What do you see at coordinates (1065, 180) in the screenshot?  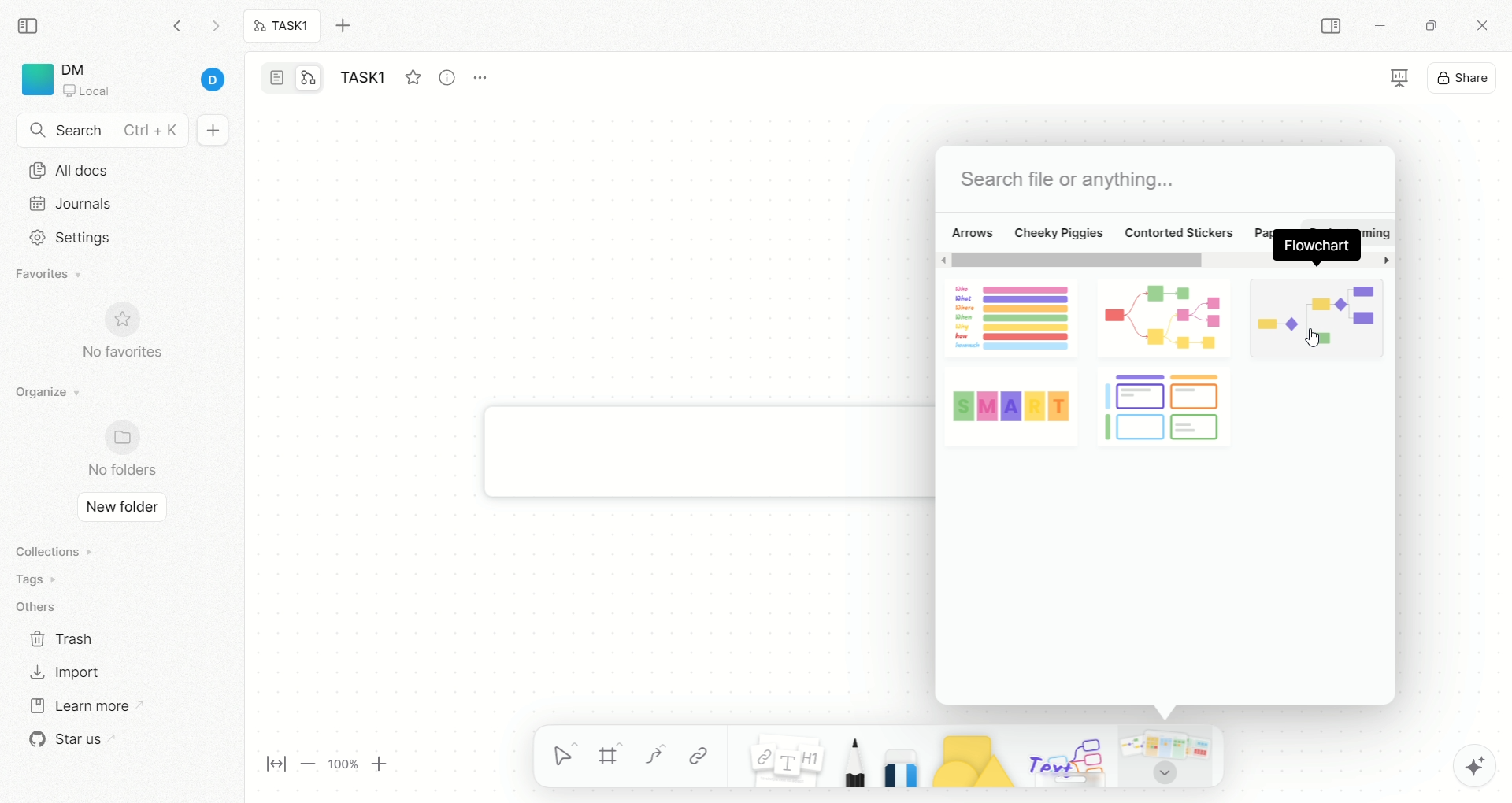 I see `search file or anything` at bounding box center [1065, 180].